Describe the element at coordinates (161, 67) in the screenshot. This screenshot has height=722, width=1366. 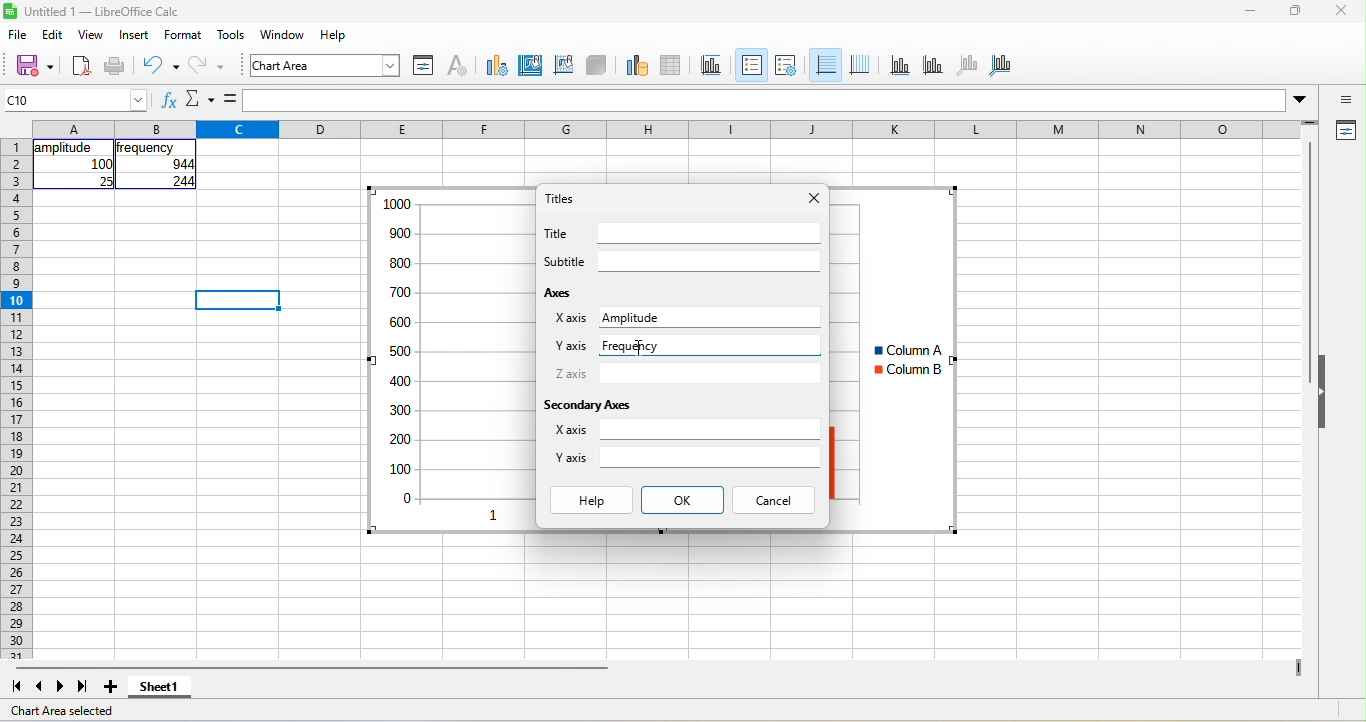
I see `undo` at that location.